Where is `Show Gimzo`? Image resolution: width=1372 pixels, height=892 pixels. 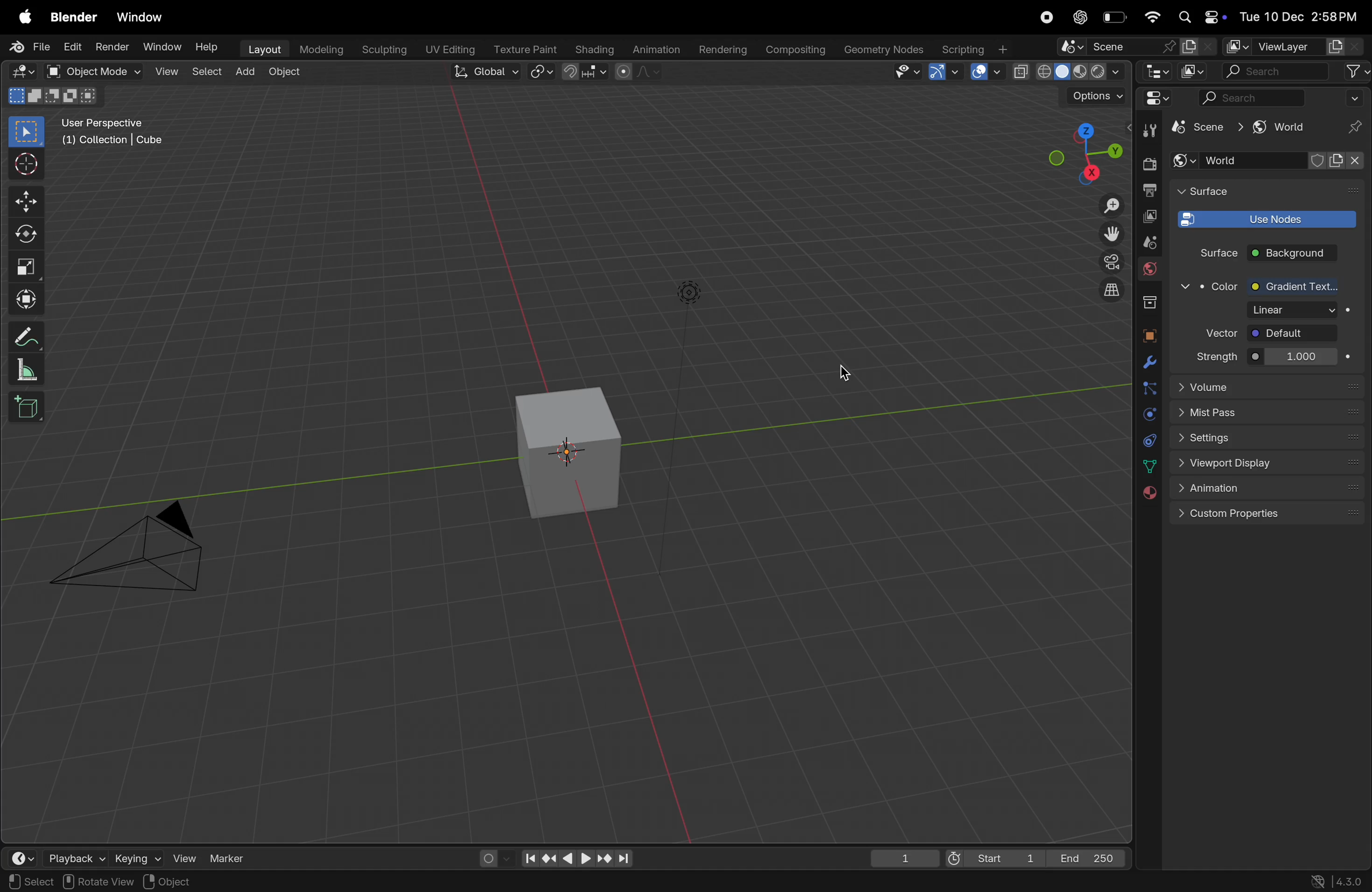 Show Gimzo is located at coordinates (944, 73).